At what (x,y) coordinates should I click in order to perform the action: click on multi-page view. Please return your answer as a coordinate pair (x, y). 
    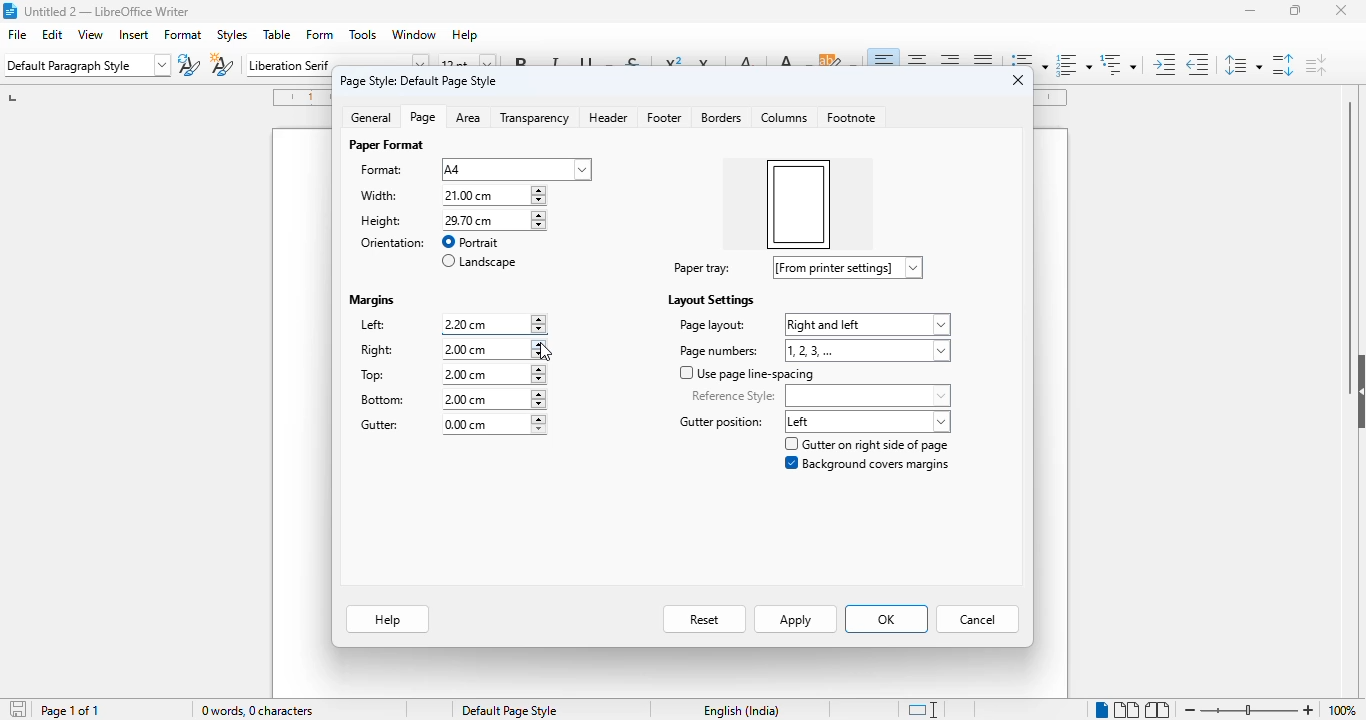
    Looking at the image, I should click on (1126, 709).